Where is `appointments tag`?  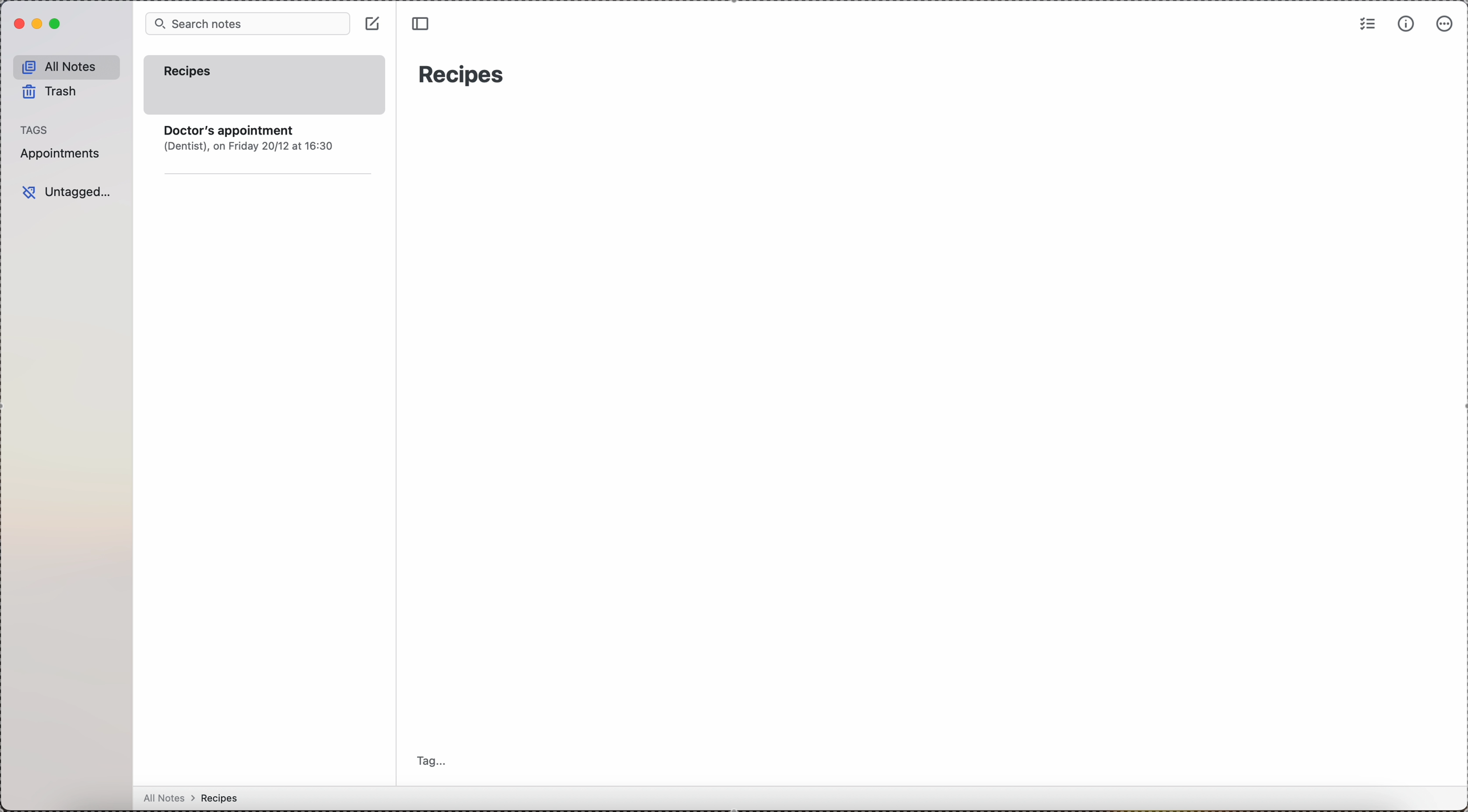 appointments tag is located at coordinates (63, 156).